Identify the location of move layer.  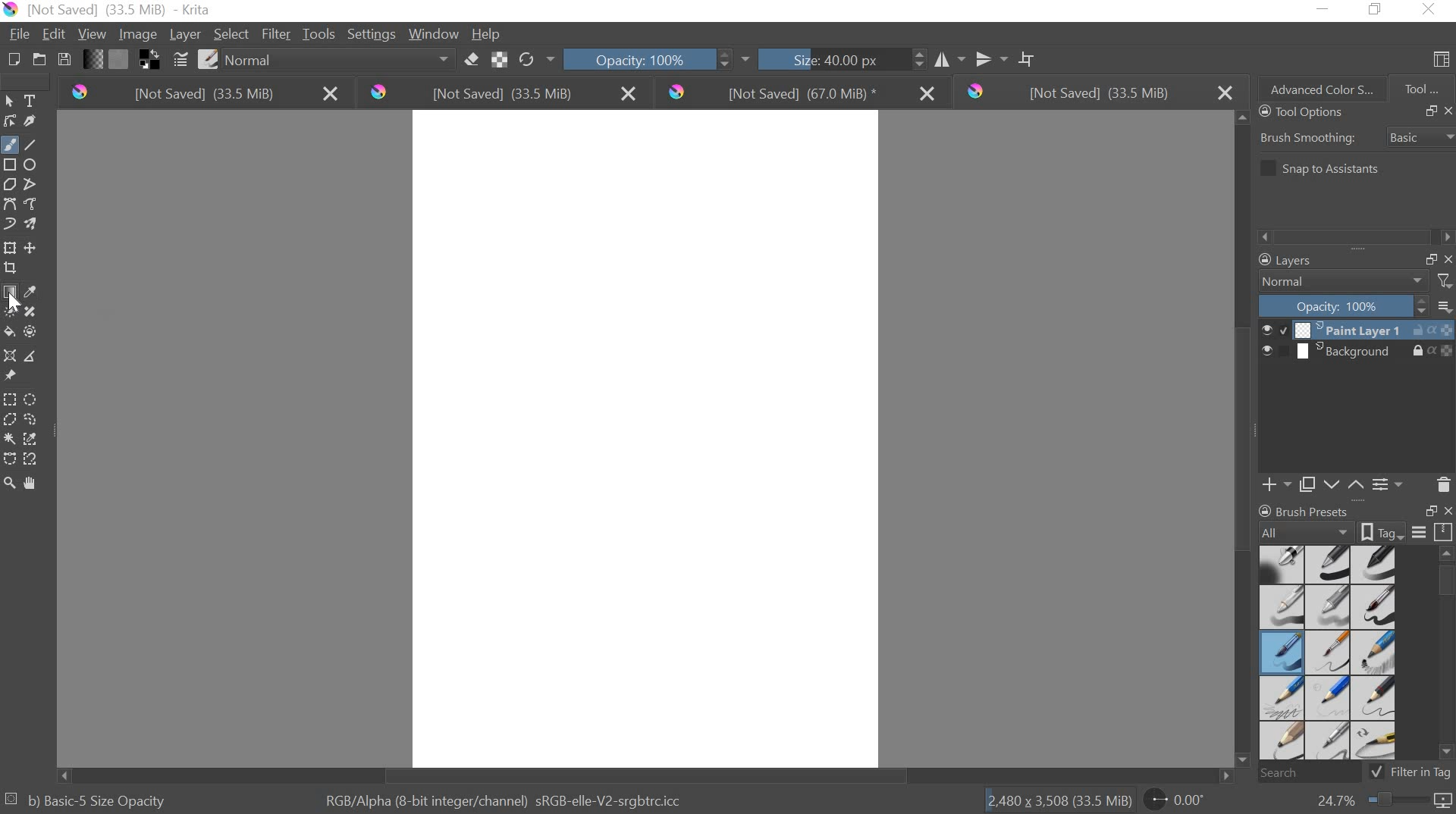
(33, 249).